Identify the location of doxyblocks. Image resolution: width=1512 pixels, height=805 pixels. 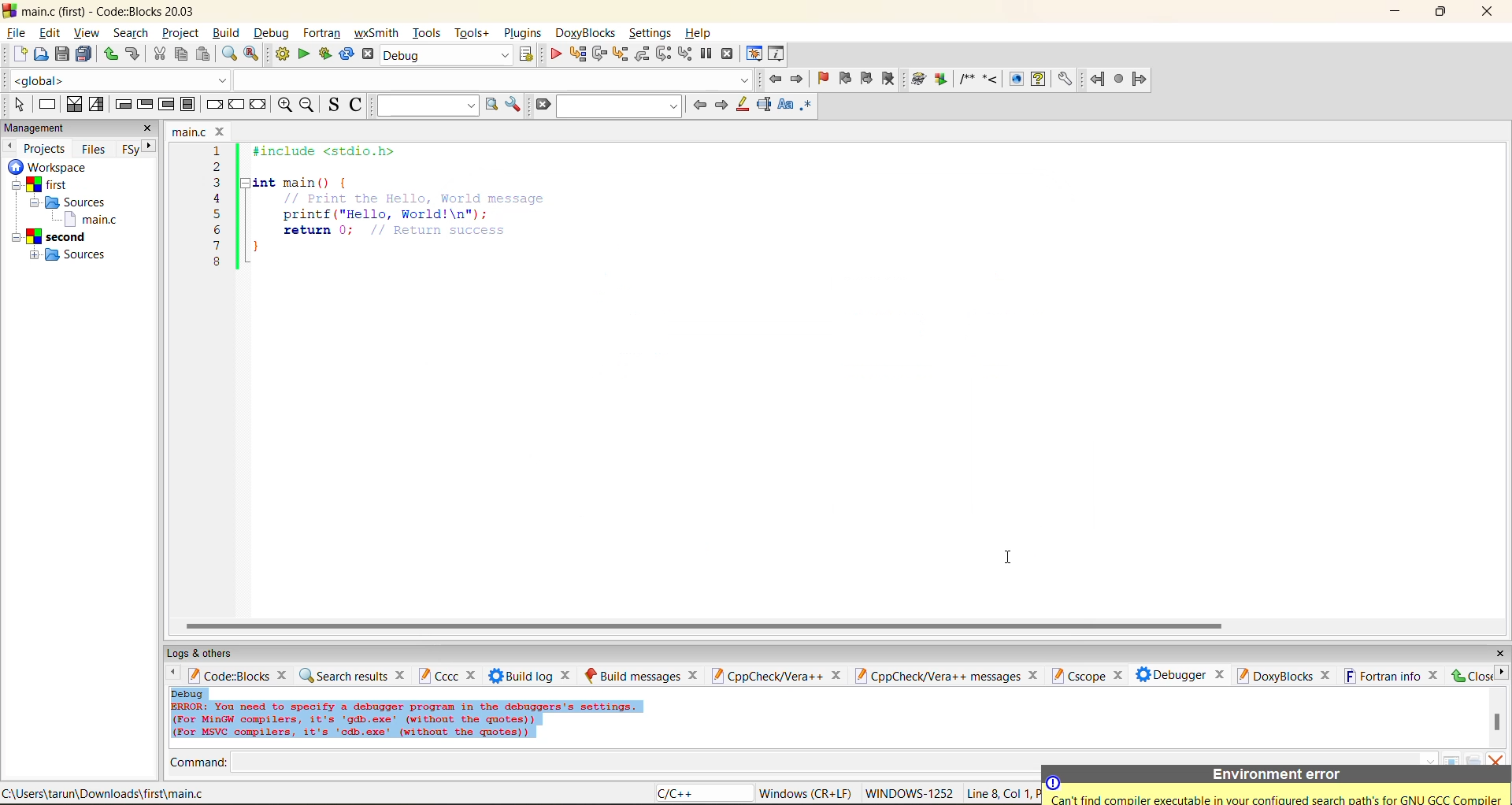
(1273, 675).